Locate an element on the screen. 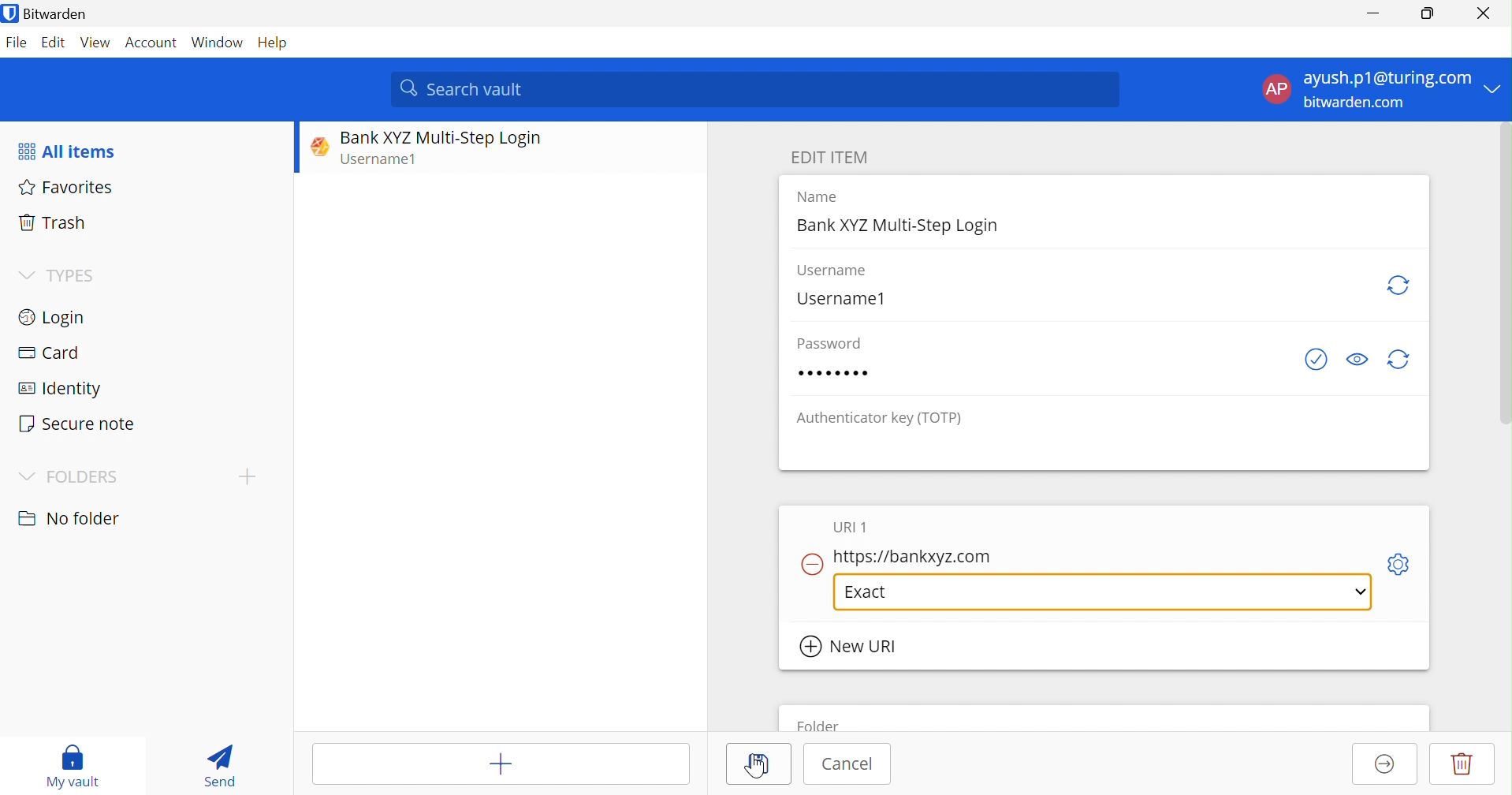  Bank XYZ Multi-Step Login is located at coordinates (441, 138).